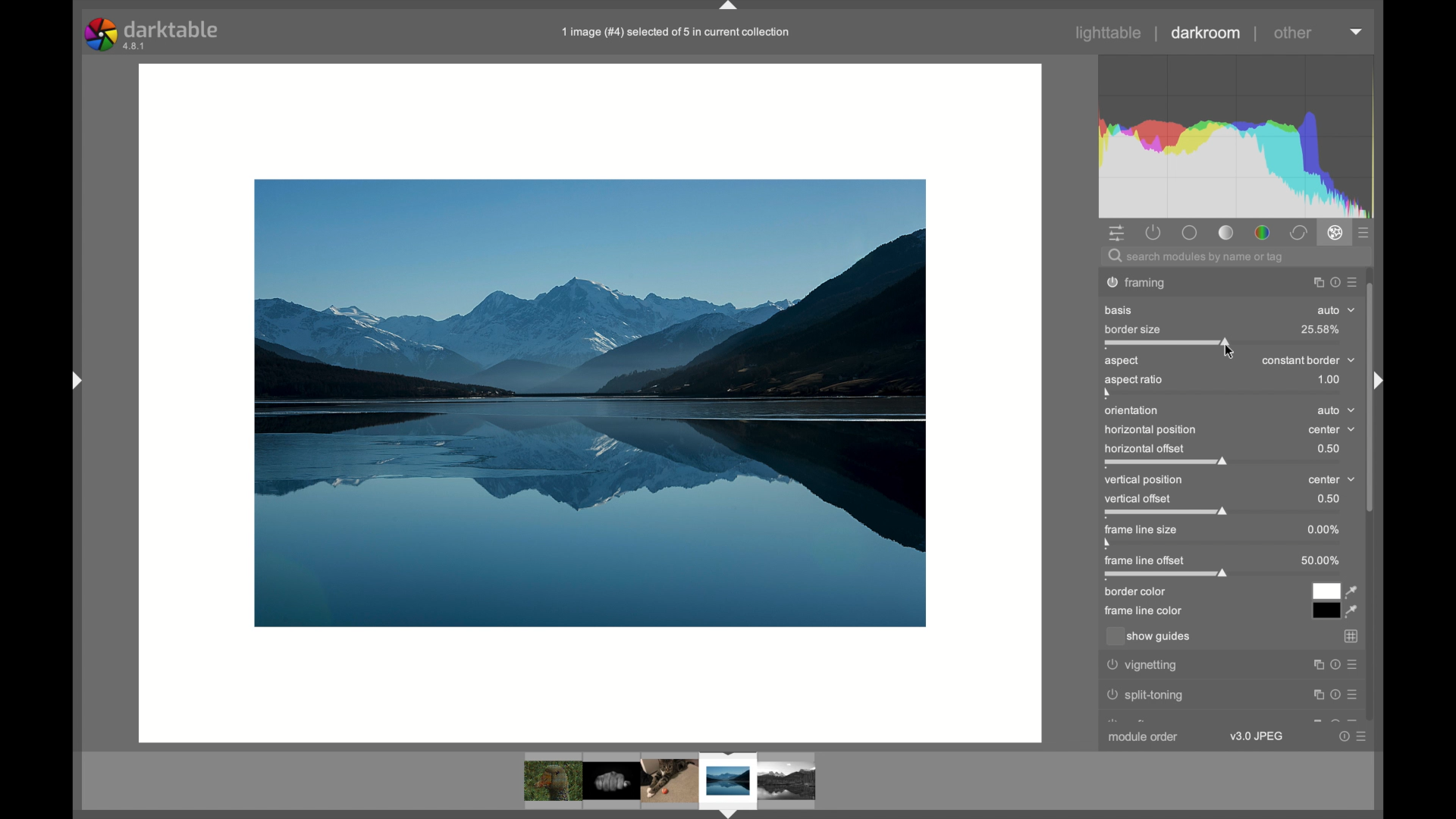 This screenshot has height=819, width=1456. What do you see at coordinates (1166, 506) in the screenshot?
I see `vertical offset slider` at bounding box center [1166, 506].